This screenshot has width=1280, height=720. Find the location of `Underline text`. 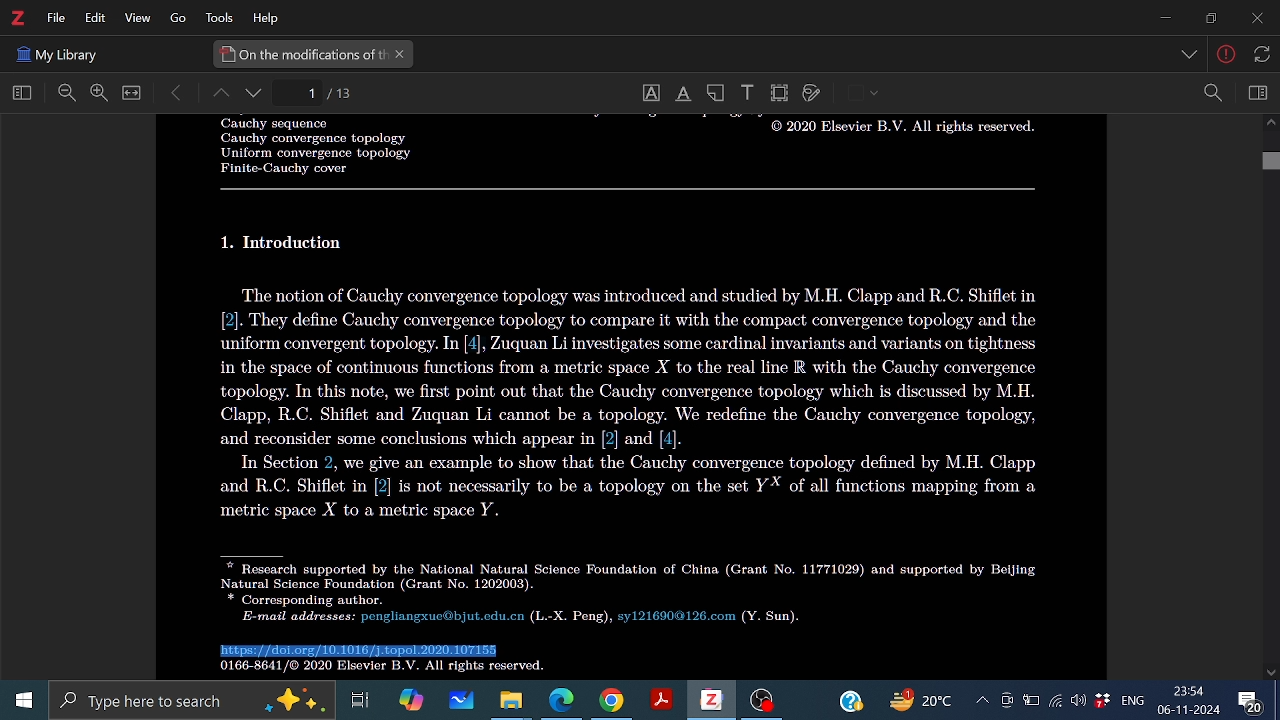

Underline text is located at coordinates (682, 94).